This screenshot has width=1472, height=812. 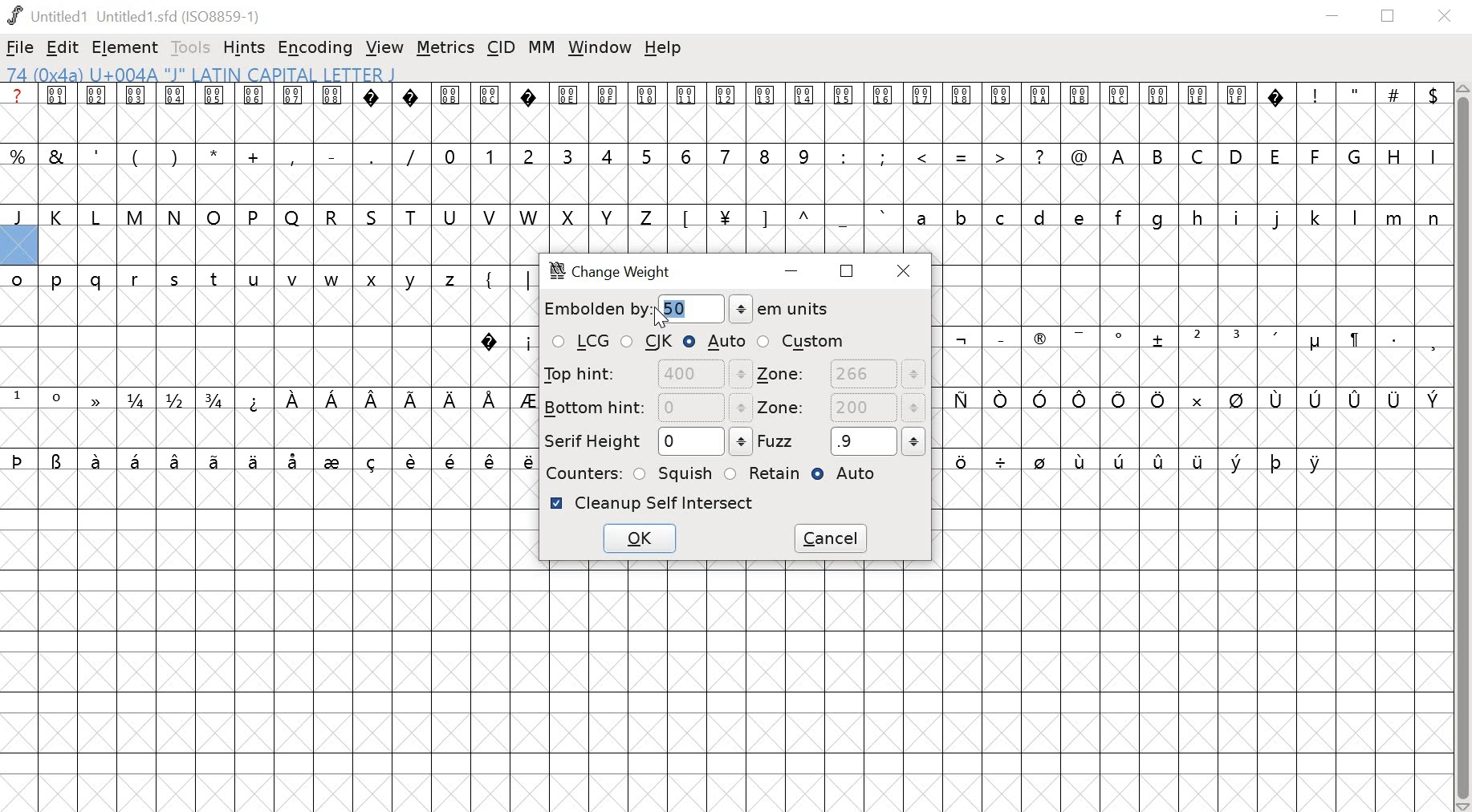 I want to click on help, so click(x=663, y=48).